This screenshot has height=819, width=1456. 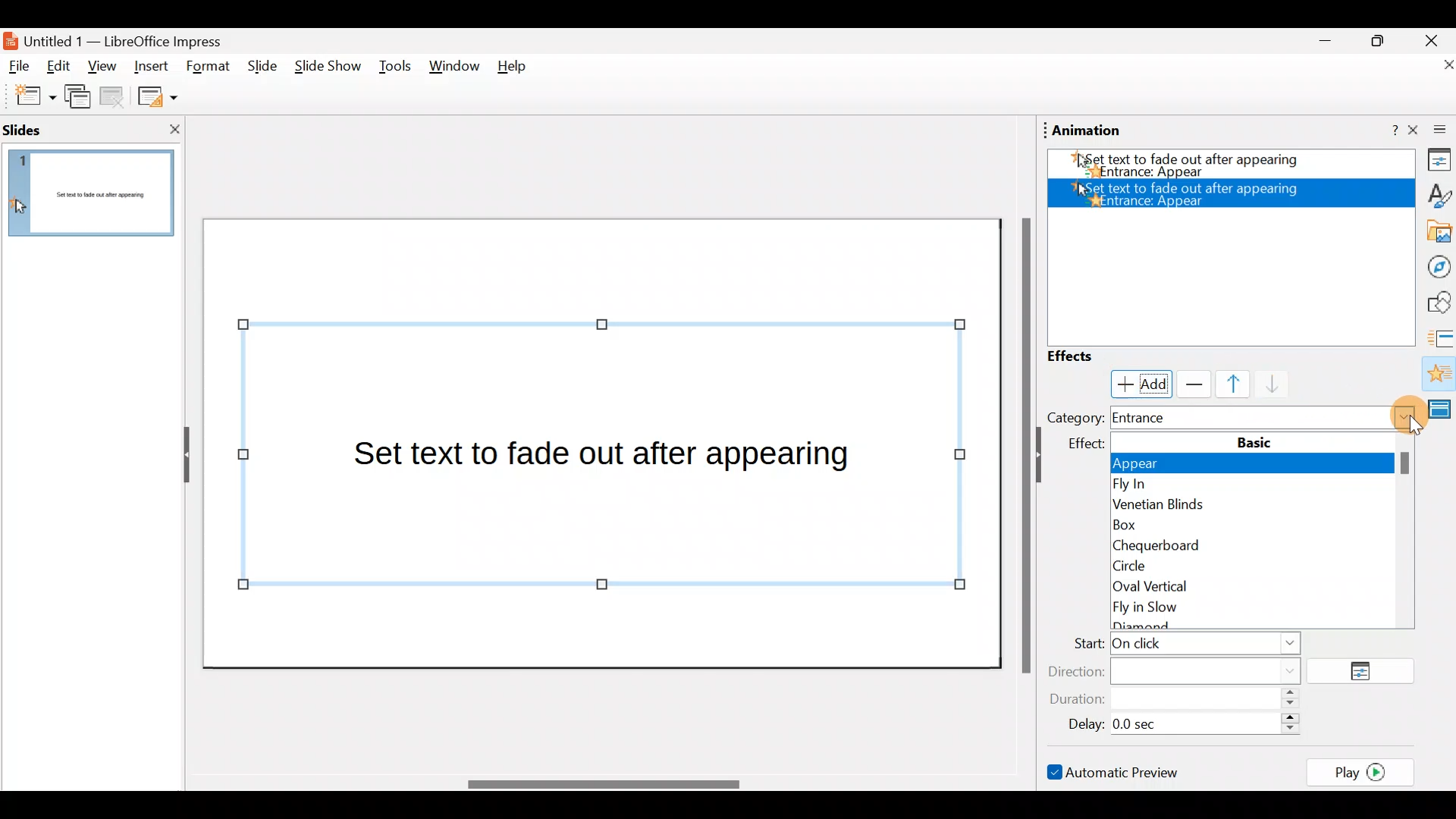 What do you see at coordinates (20, 67) in the screenshot?
I see `File` at bounding box center [20, 67].